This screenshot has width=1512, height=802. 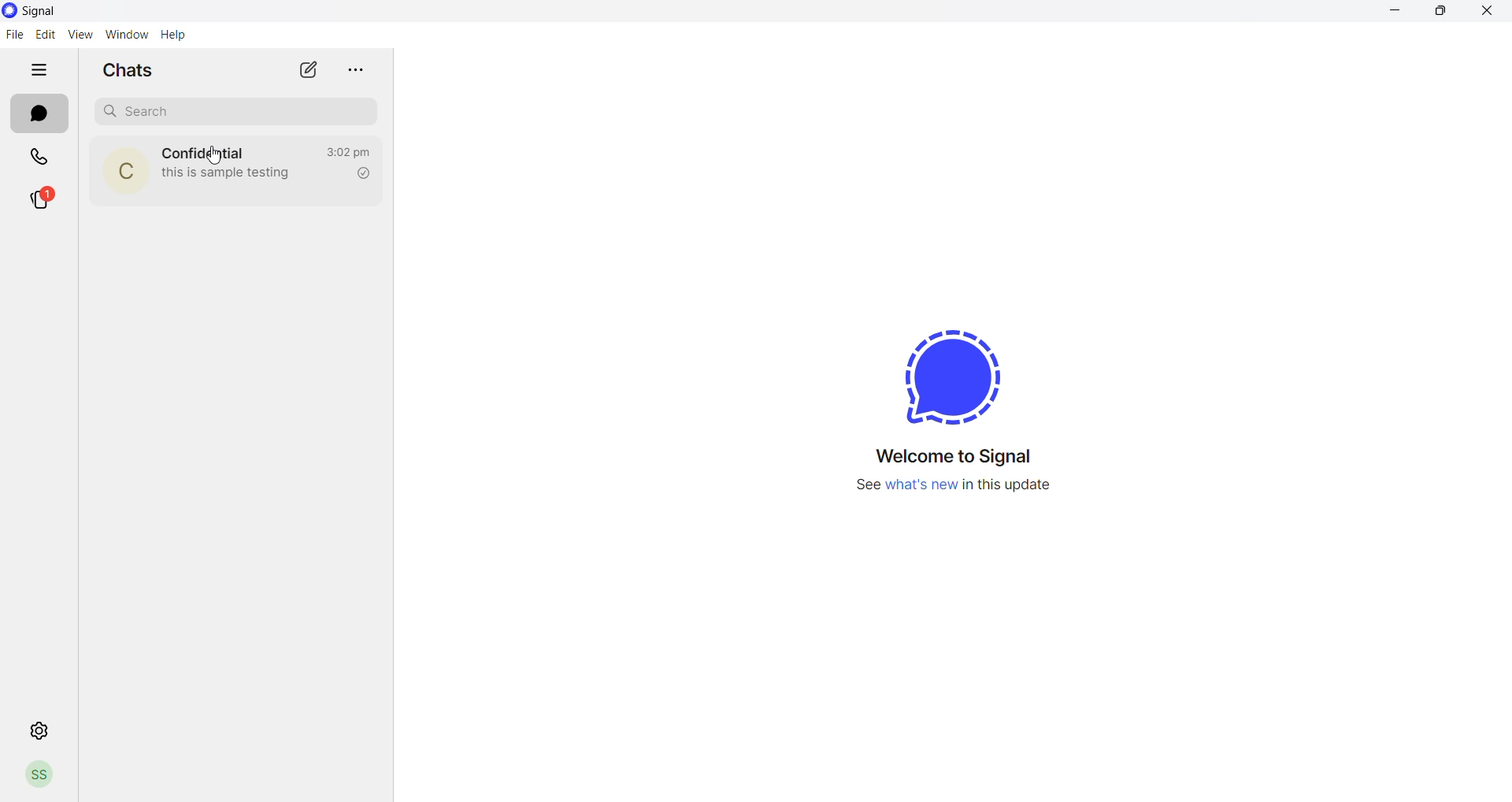 I want to click on welcome message, so click(x=951, y=458).